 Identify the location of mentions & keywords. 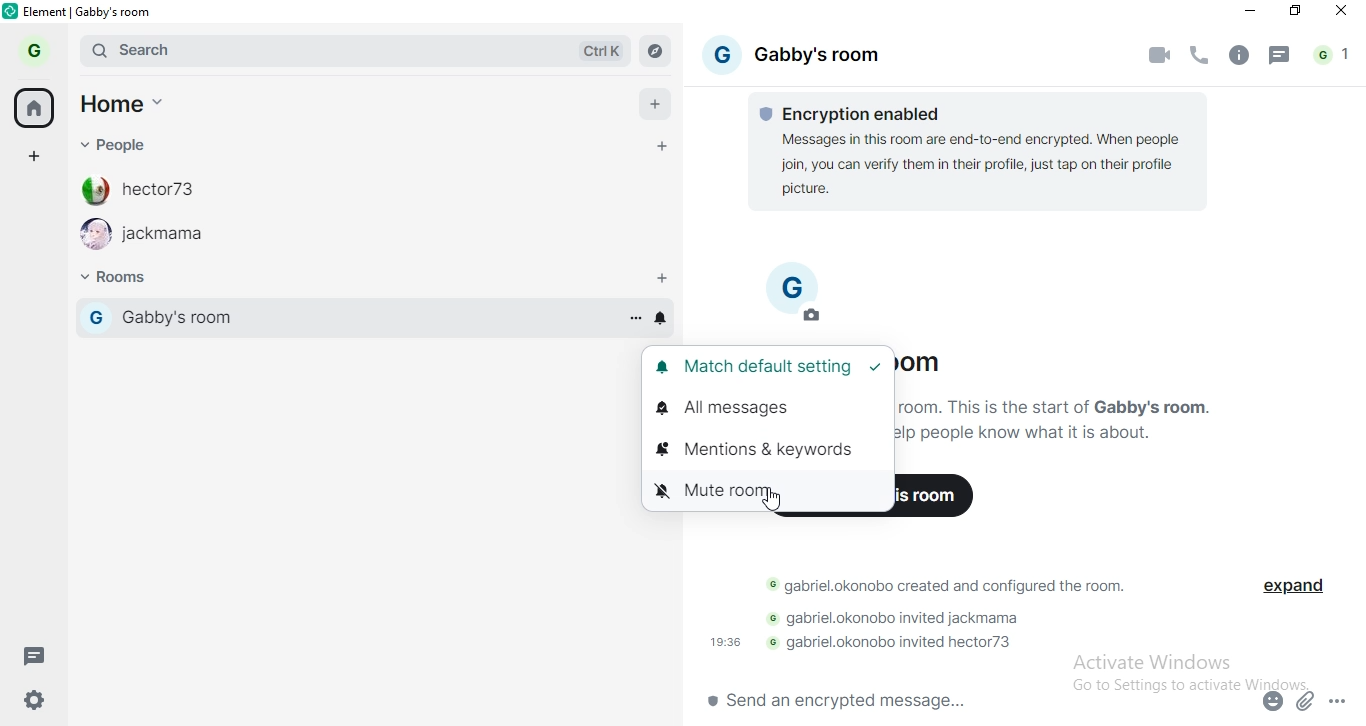
(758, 458).